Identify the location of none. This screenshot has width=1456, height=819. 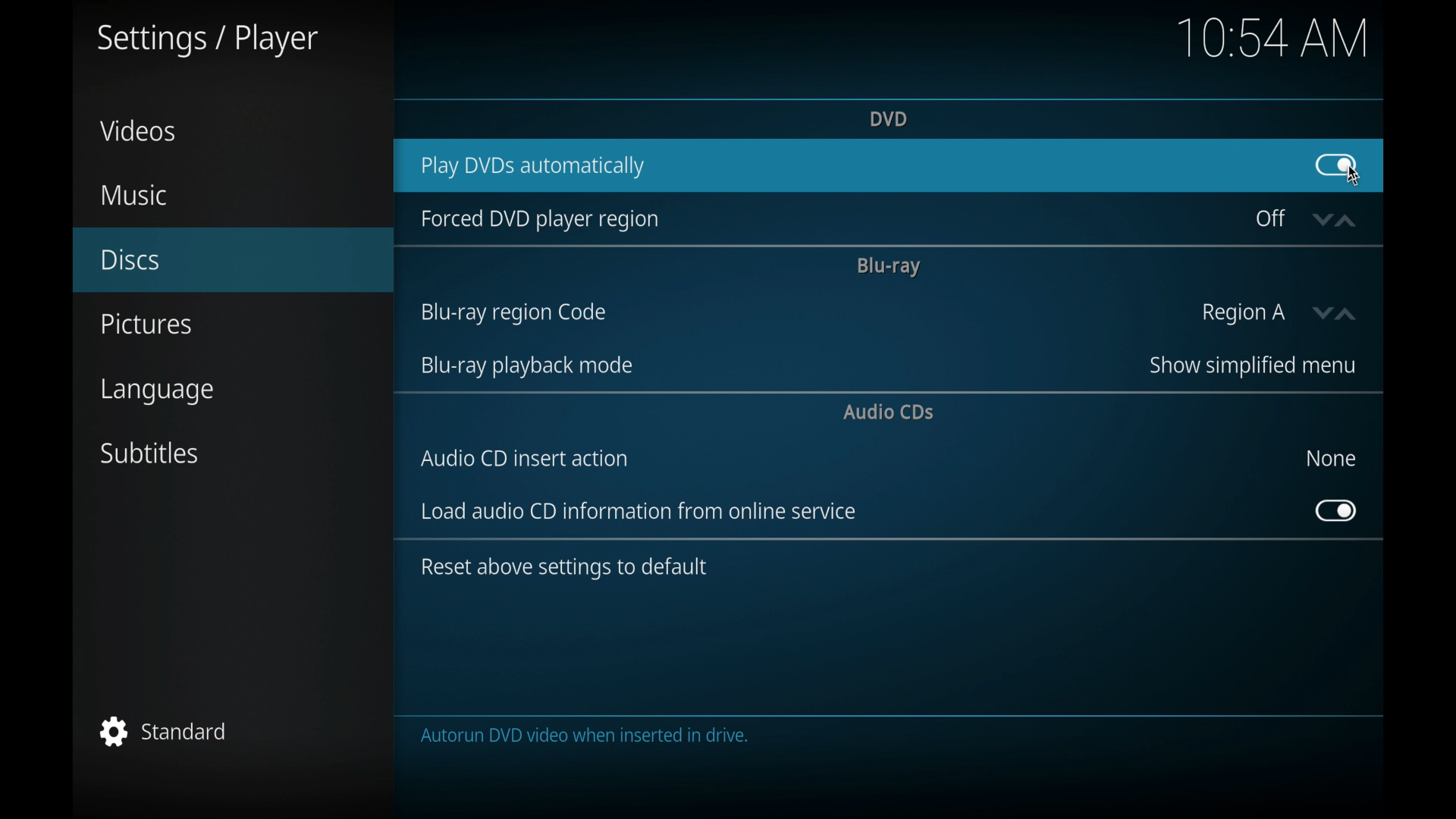
(1330, 458).